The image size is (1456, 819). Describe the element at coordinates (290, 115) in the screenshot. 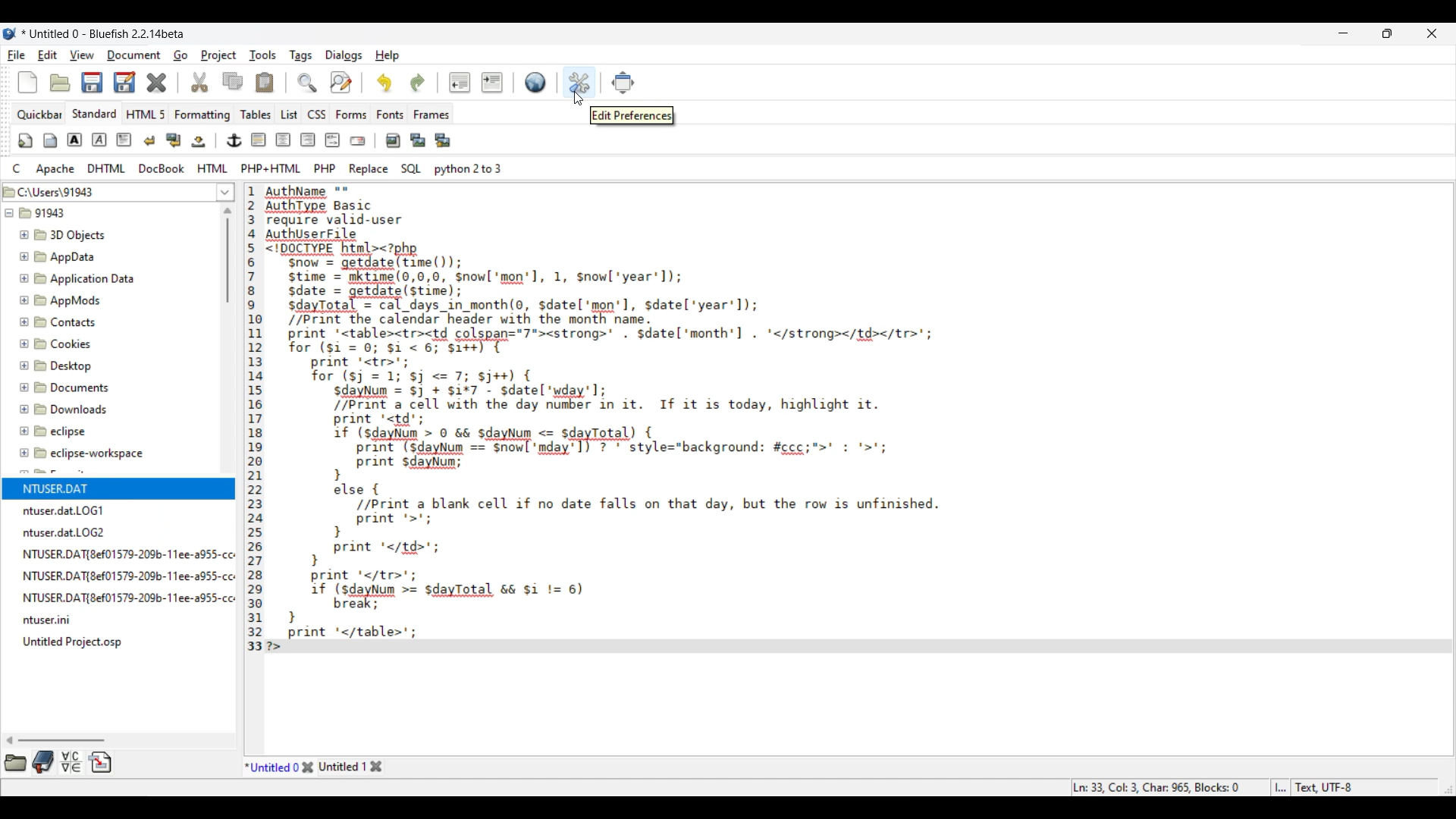

I see `List` at that location.